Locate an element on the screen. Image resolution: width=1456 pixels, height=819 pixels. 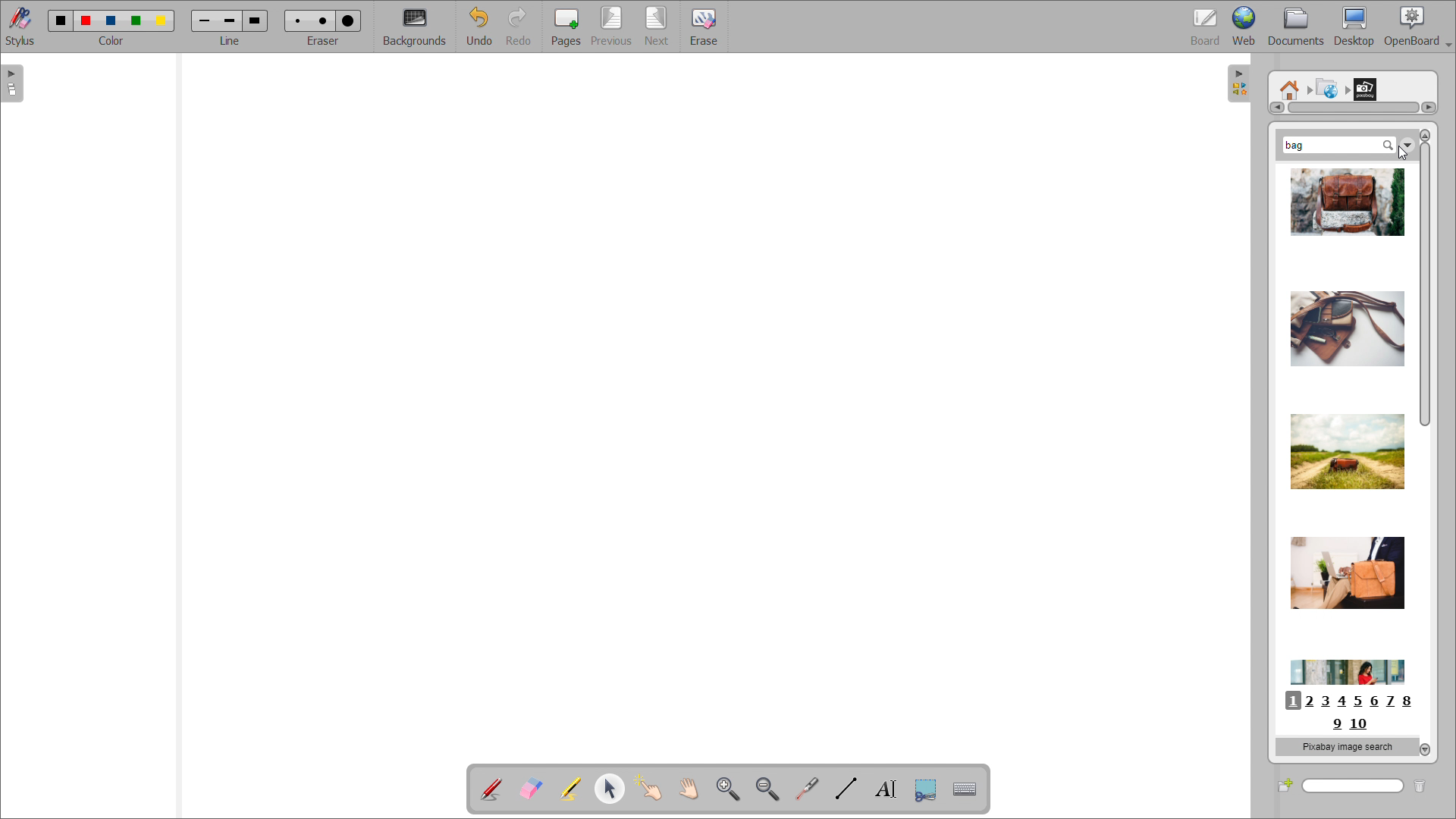
5 is located at coordinates (1357, 702).